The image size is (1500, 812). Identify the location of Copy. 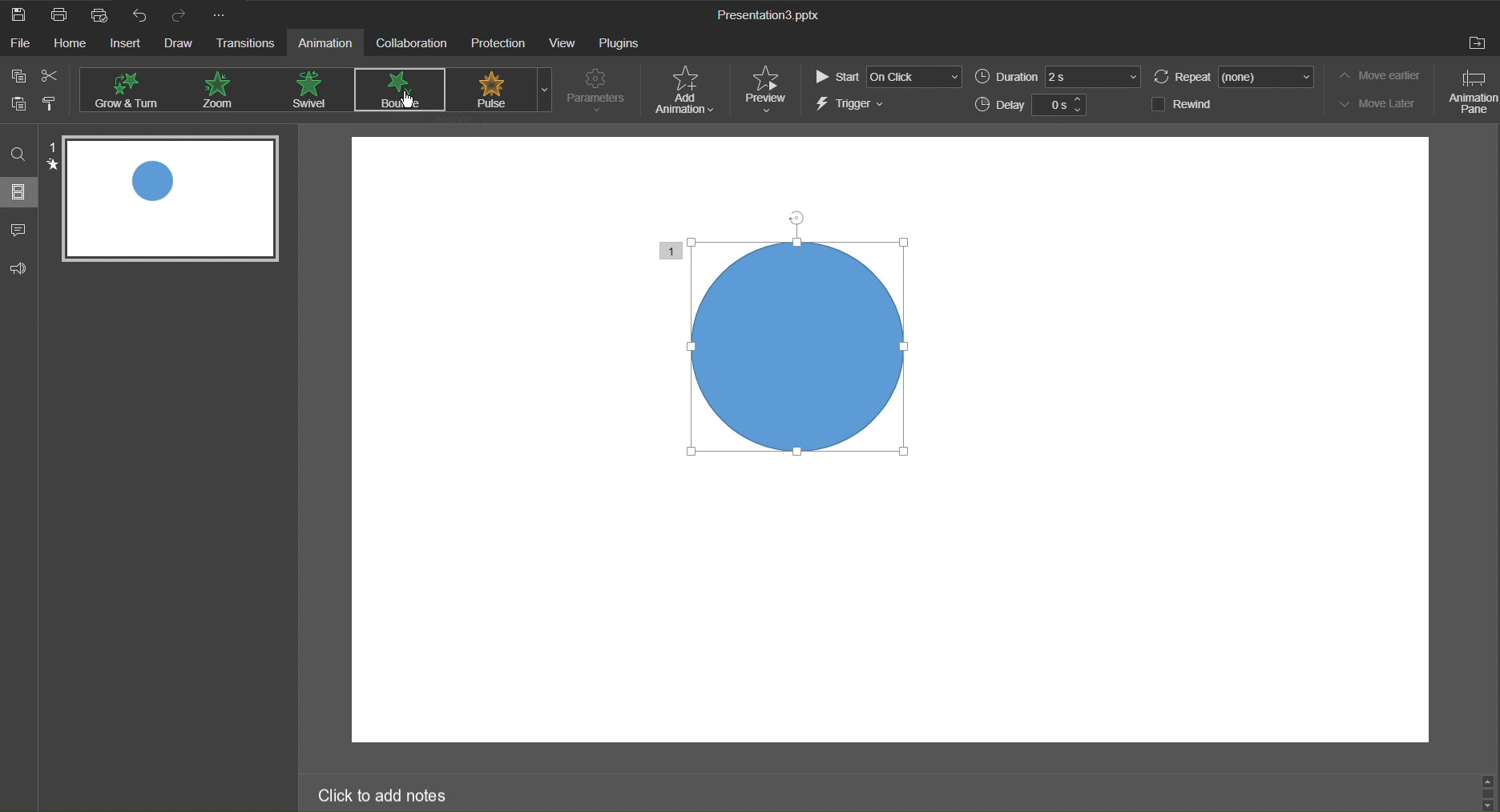
(18, 74).